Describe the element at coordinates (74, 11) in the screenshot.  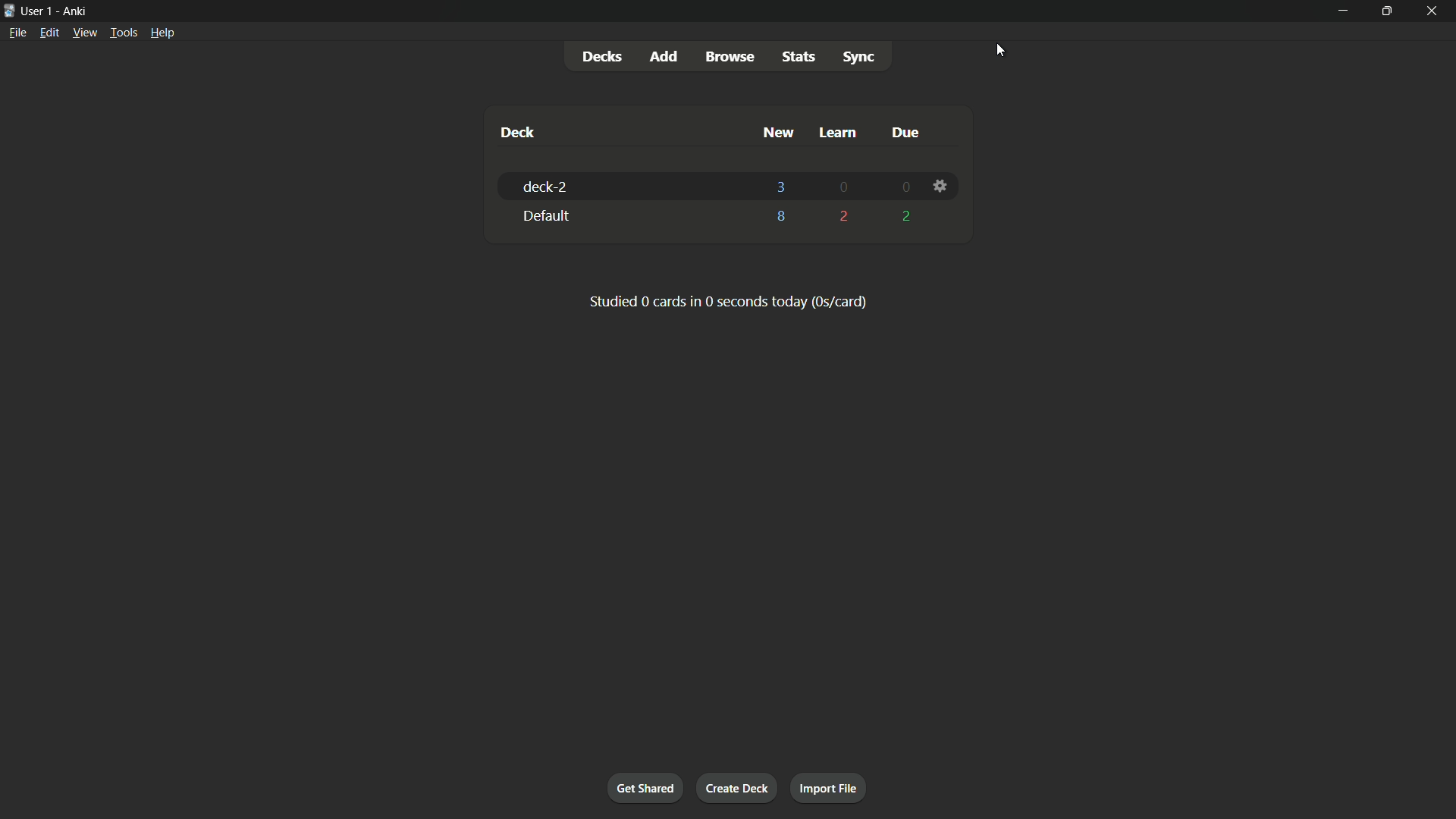
I see `app name` at that location.